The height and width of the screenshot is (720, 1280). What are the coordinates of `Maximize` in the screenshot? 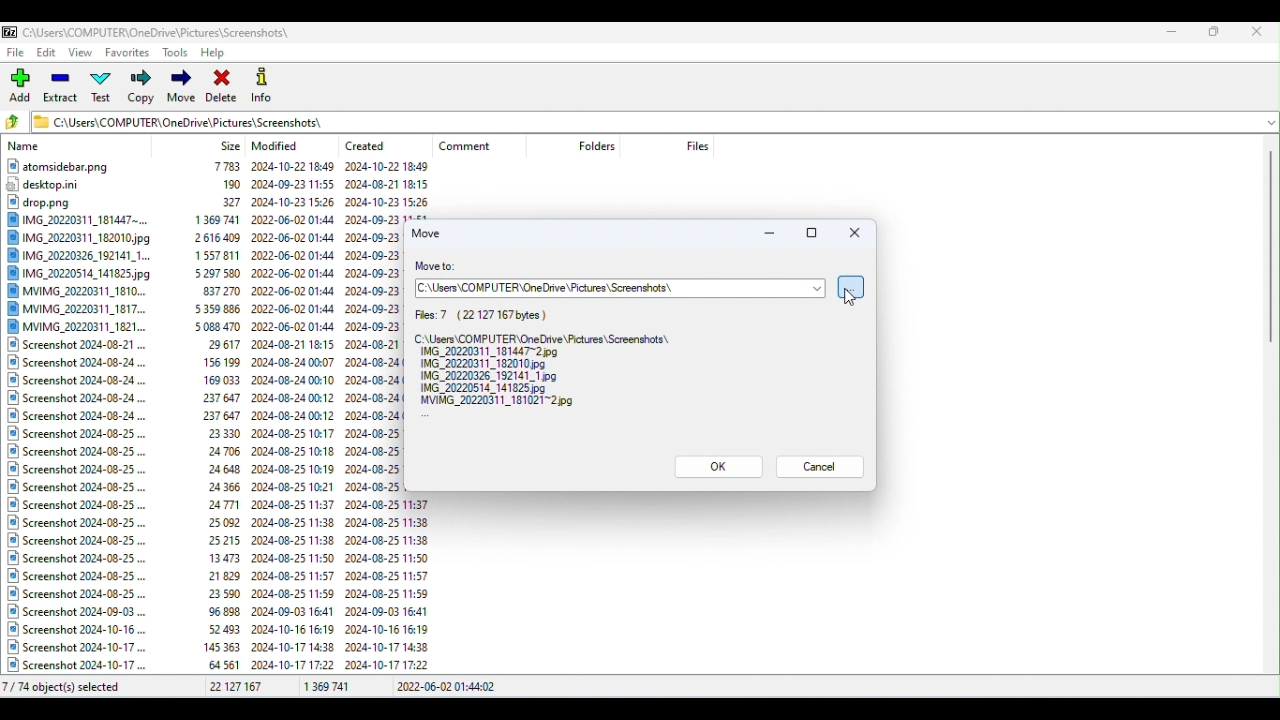 It's located at (1214, 31).